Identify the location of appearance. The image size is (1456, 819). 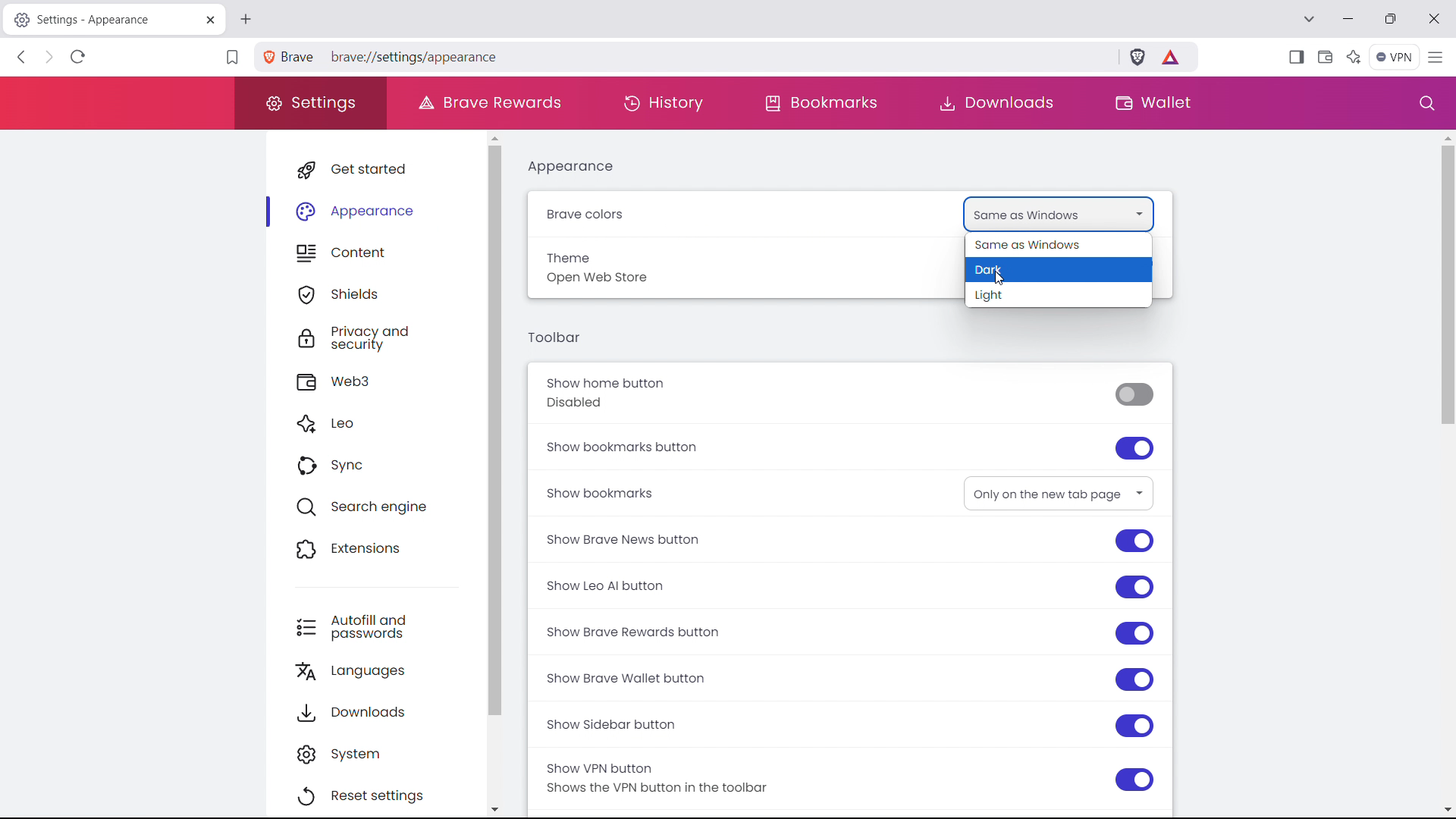
(384, 207).